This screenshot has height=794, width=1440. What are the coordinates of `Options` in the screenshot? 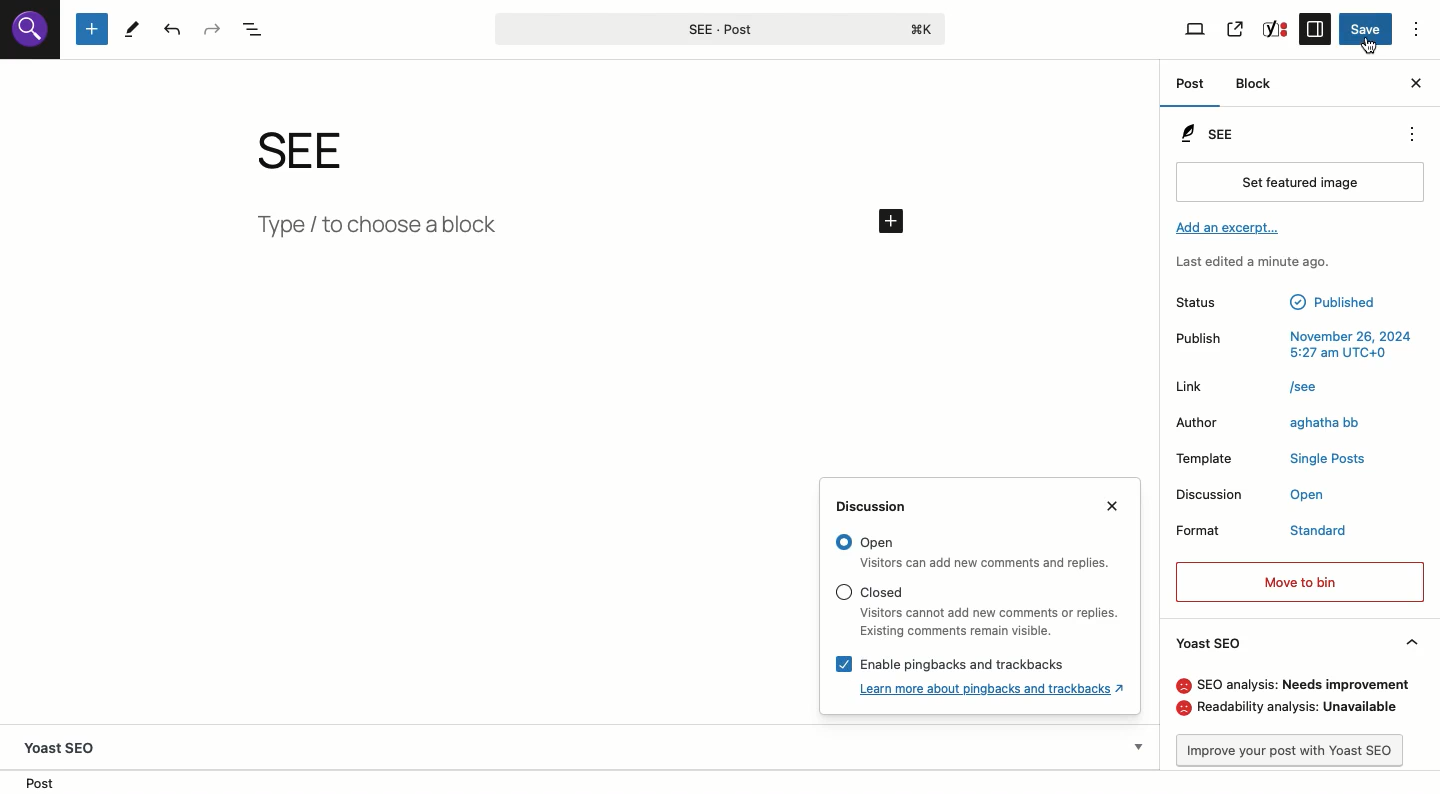 It's located at (1415, 26).